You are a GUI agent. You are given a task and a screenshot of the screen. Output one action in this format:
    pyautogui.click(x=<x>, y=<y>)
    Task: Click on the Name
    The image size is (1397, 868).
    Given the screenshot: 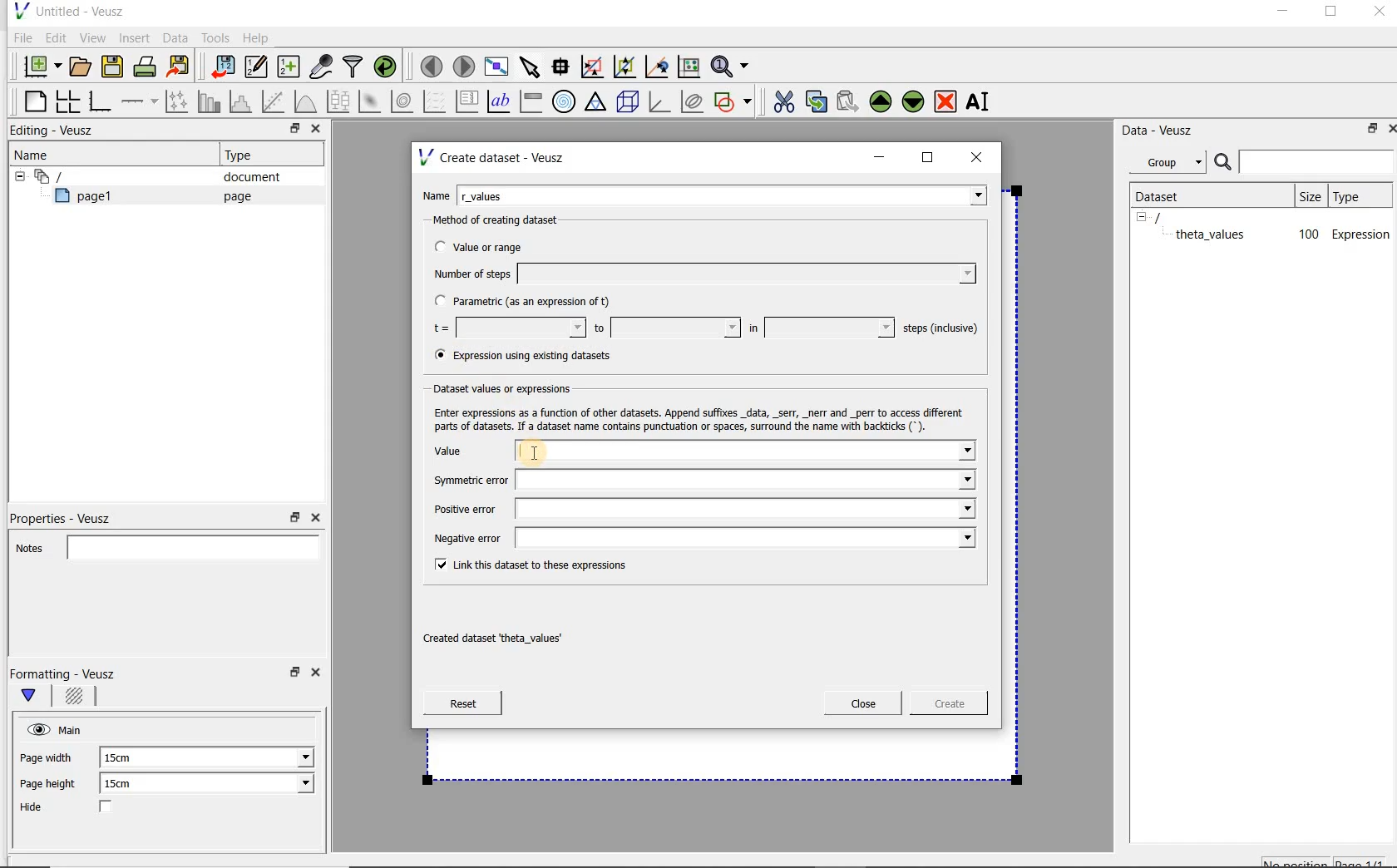 What is the action you would take?
    pyautogui.click(x=37, y=154)
    